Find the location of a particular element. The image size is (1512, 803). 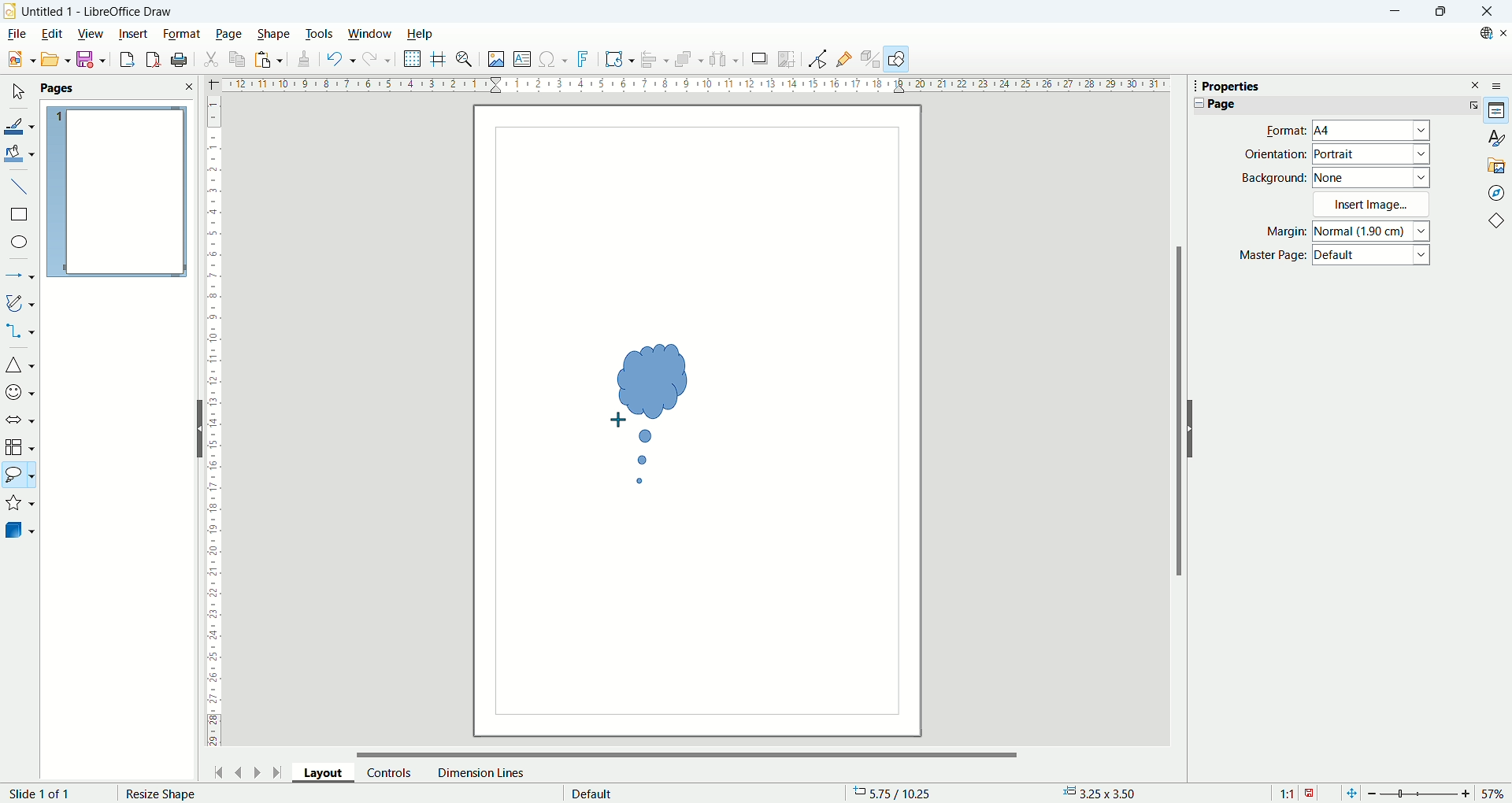

fontwork text is located at coordinates (619, 60).